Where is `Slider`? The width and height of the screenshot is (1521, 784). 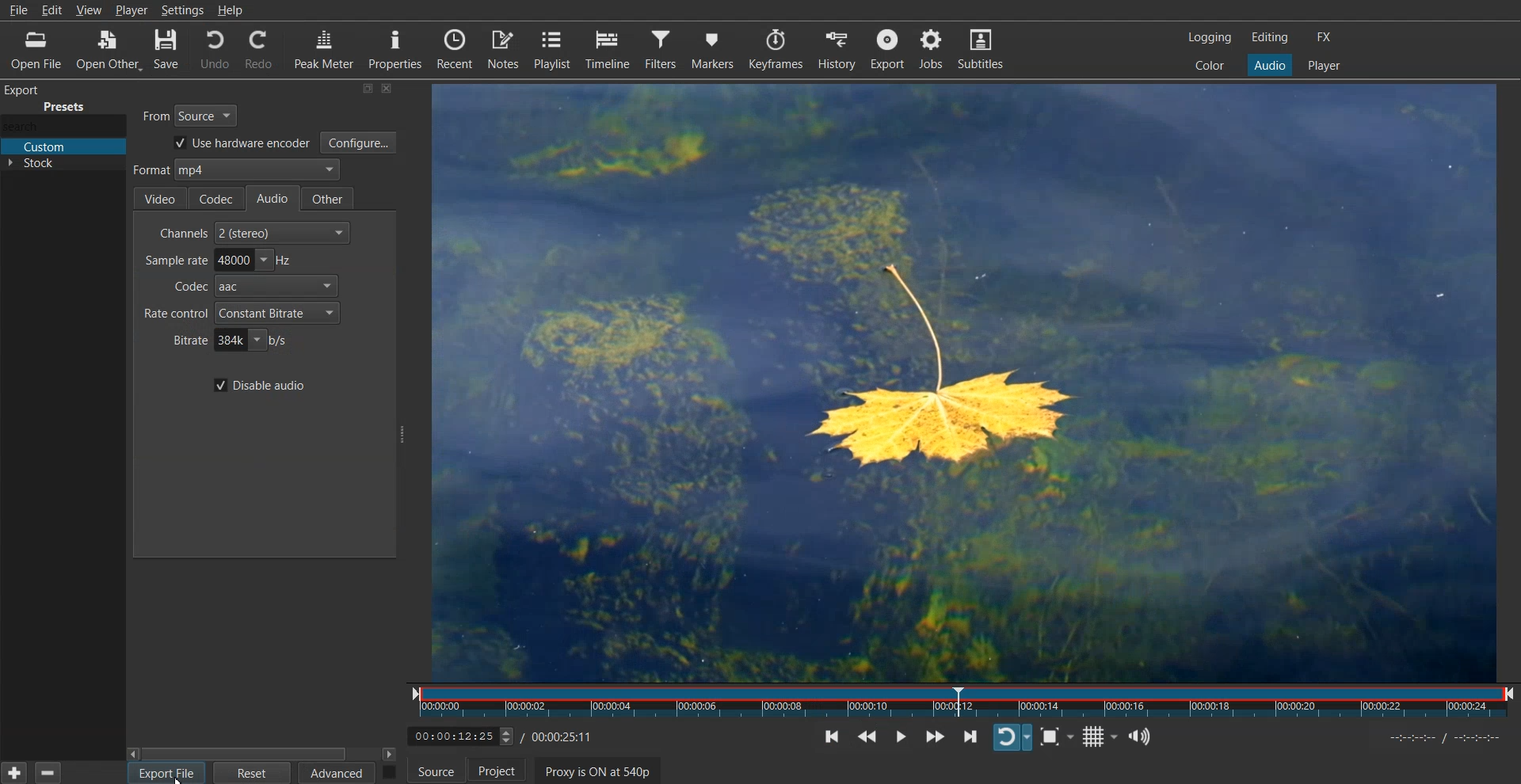
Slider is located at coordinates (966, 702).